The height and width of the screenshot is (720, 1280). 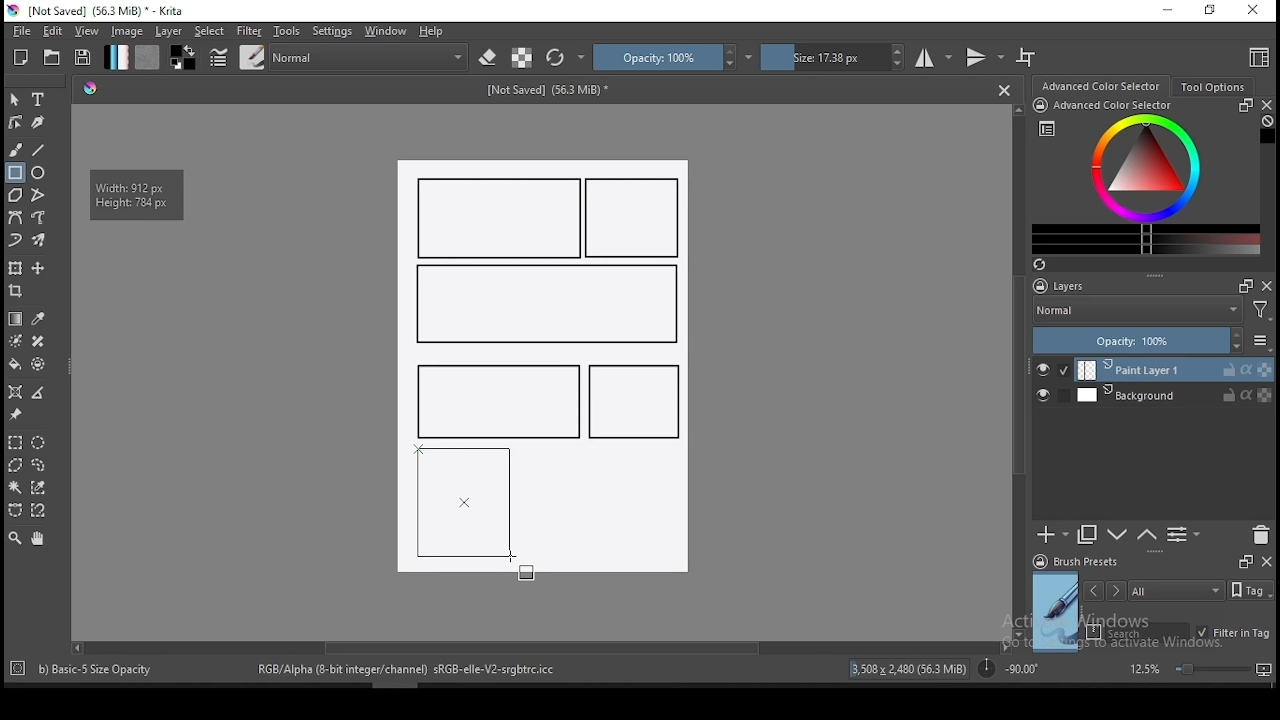 I want to click on help, so click(x=435, y=32).